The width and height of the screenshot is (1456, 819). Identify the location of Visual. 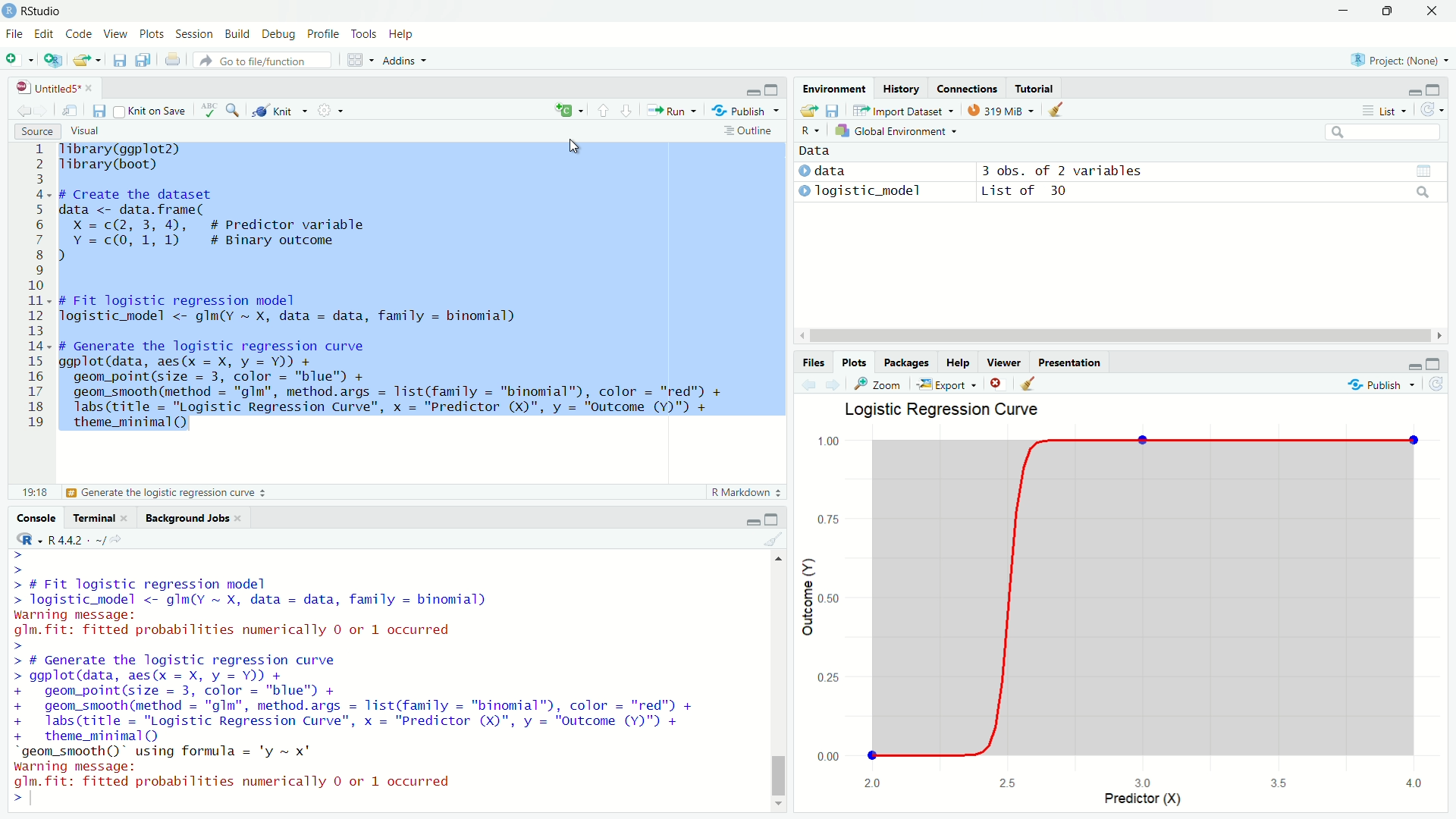
(84, 130).